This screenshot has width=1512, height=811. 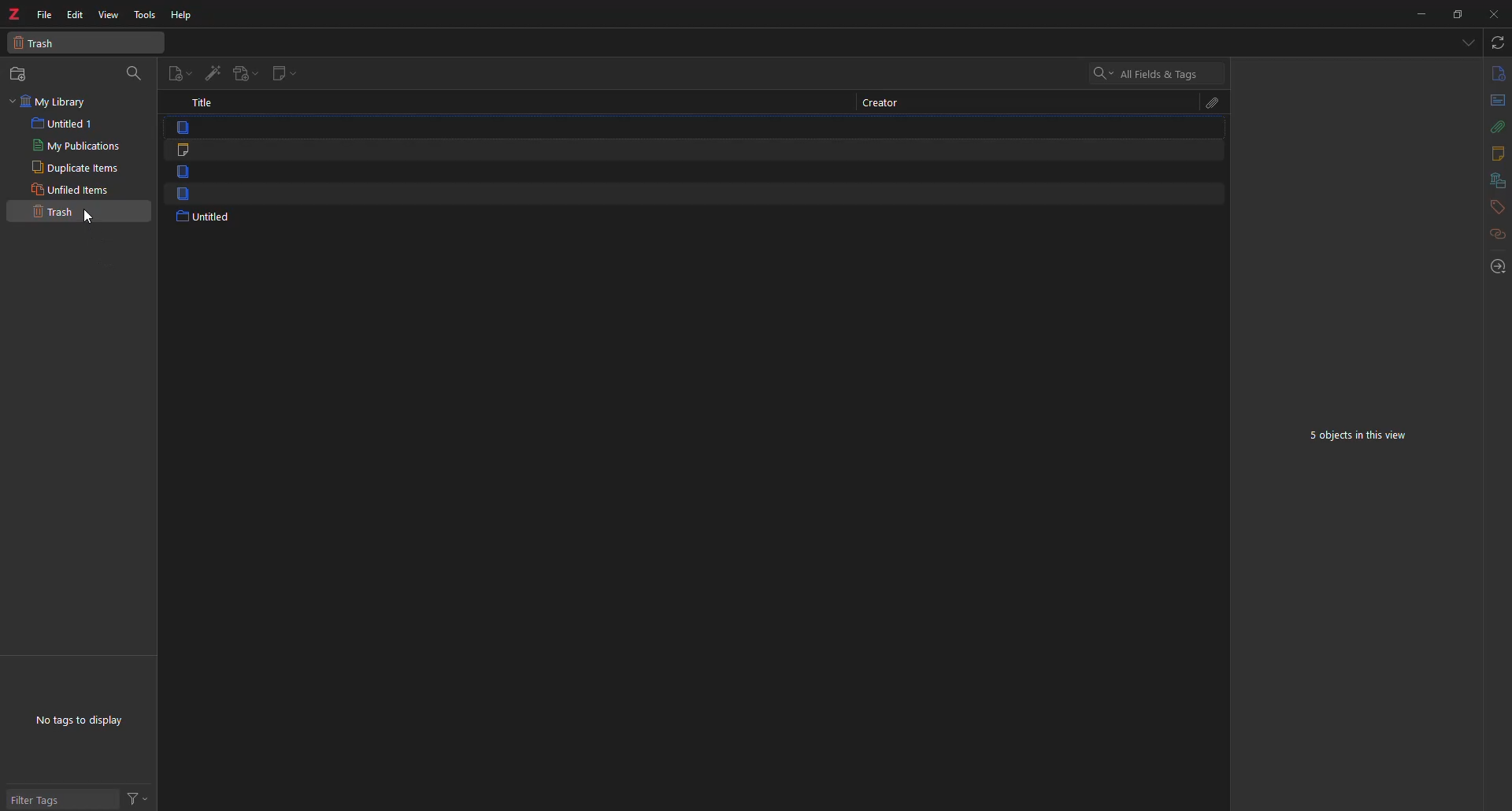 I want to click on cursor, so click(x=89, y=219).